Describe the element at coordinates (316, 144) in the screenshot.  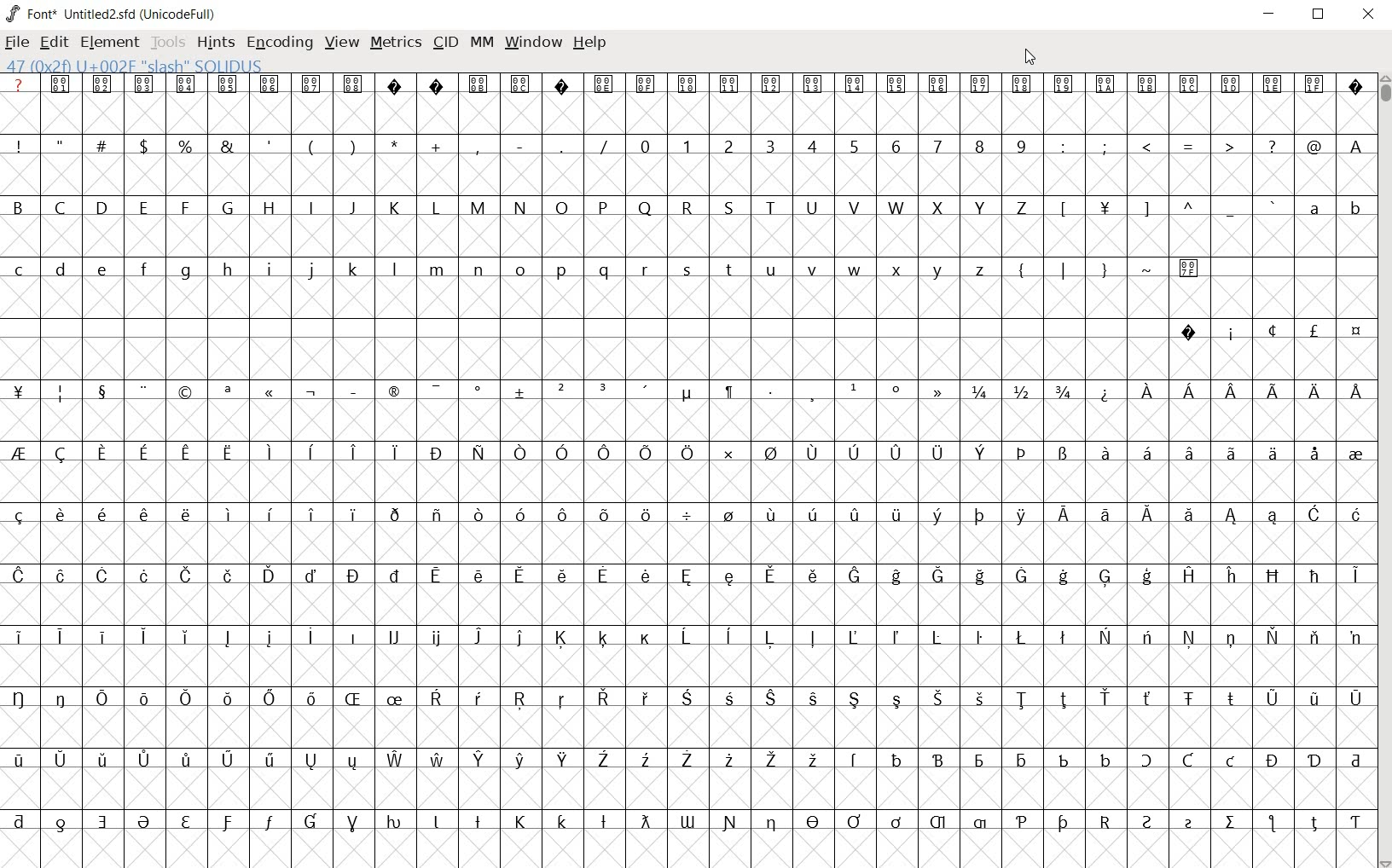
I see `symbols` at that location.